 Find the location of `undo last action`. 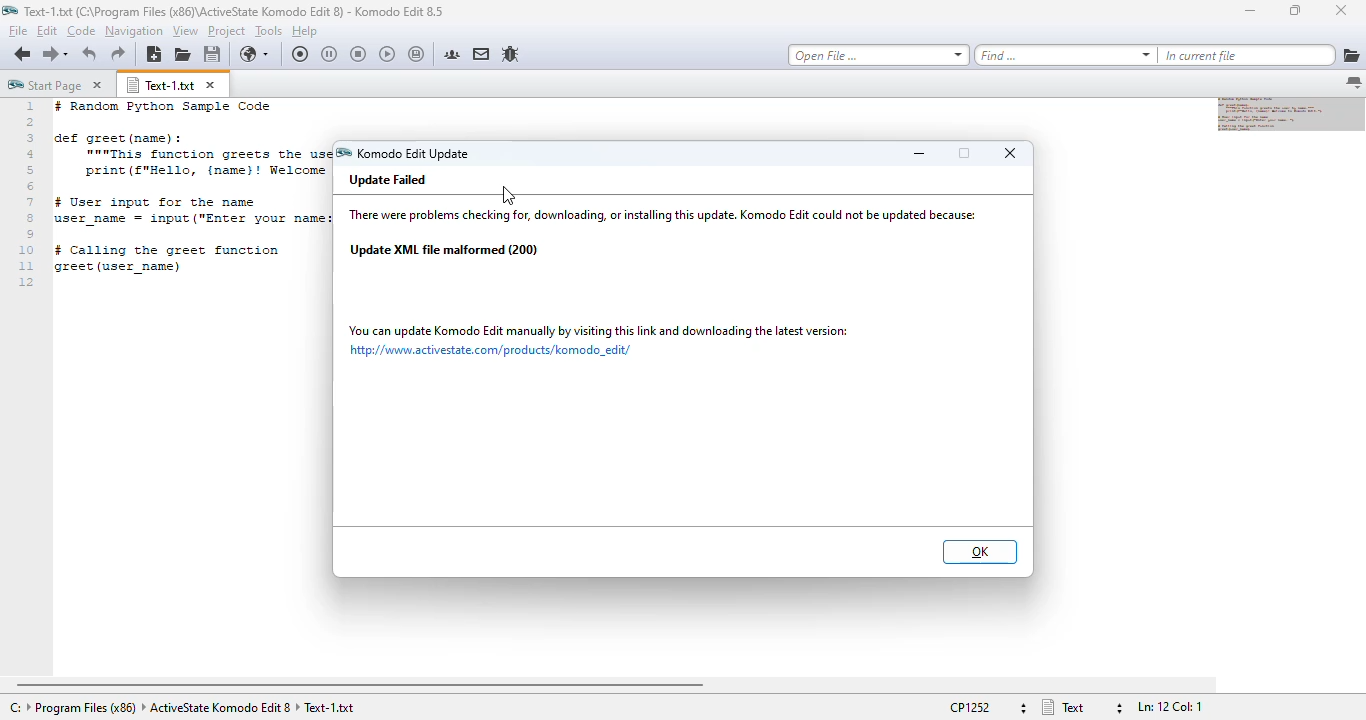

undo last action is located at coordinates (90, 55).